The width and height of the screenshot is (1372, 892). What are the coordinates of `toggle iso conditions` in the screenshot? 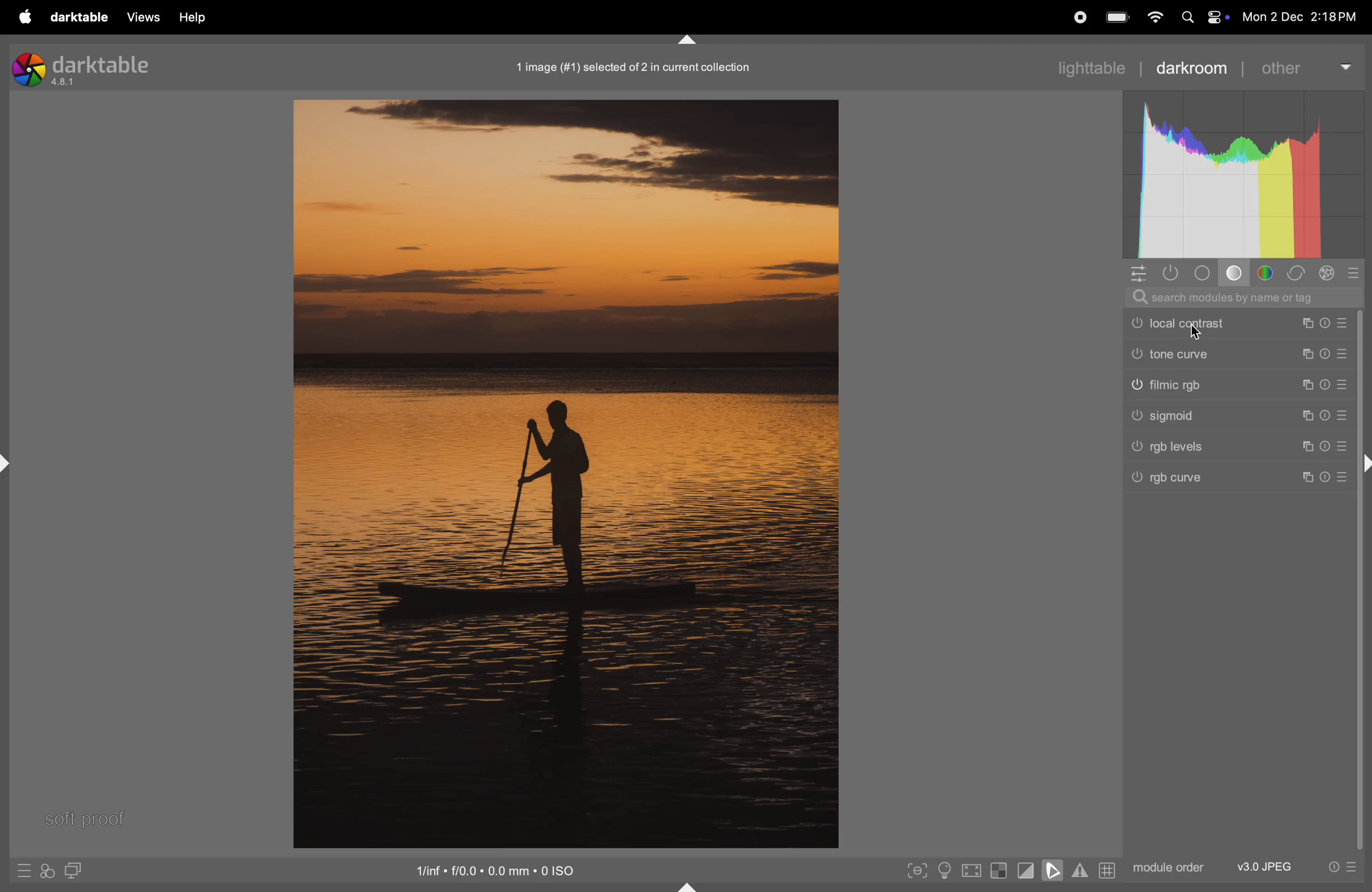 It's located at (944, 870).